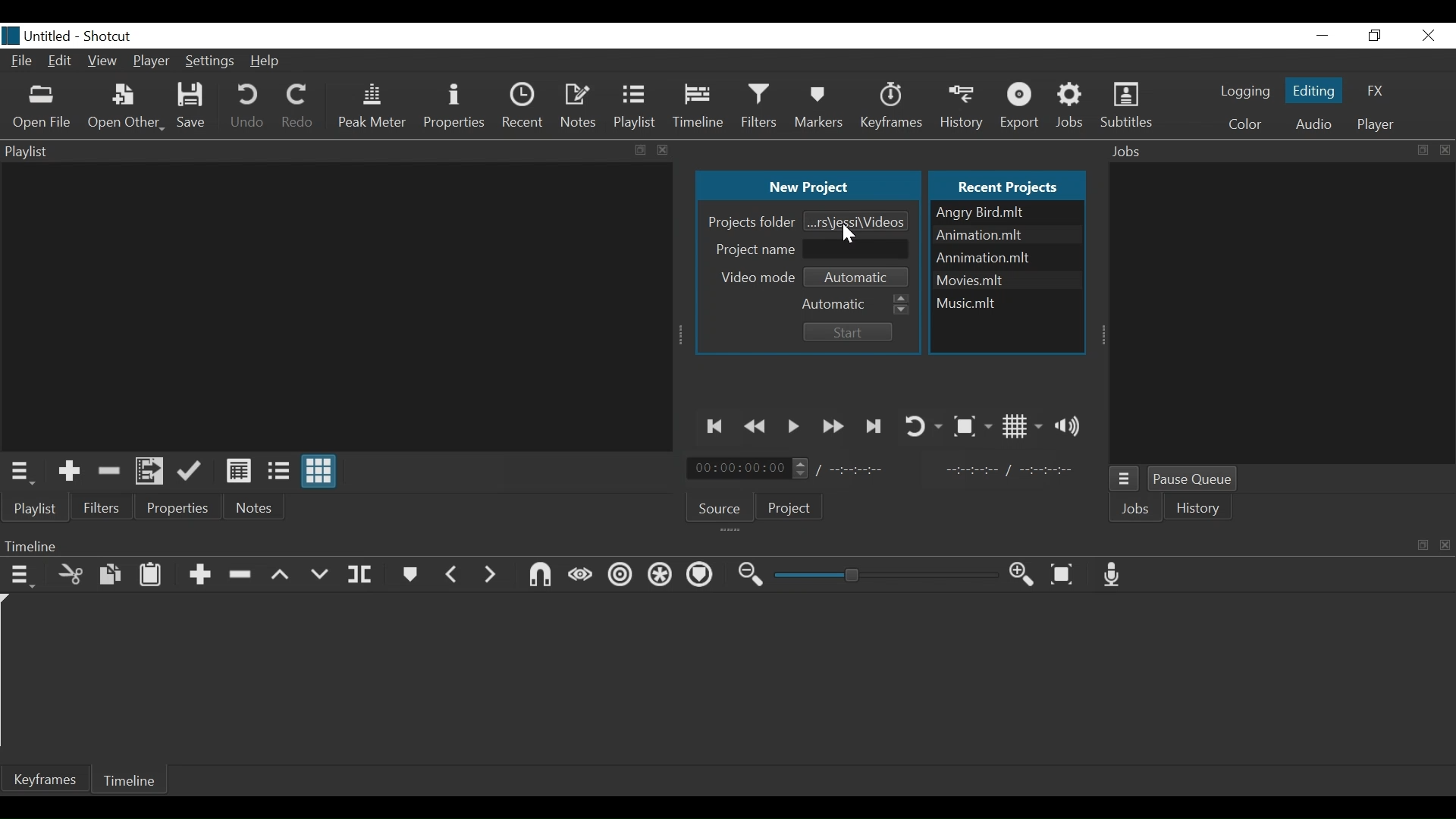 The height and width of the screenshot is (819, 1456). I want to click on Toggle Zoom, so click(971, 426).